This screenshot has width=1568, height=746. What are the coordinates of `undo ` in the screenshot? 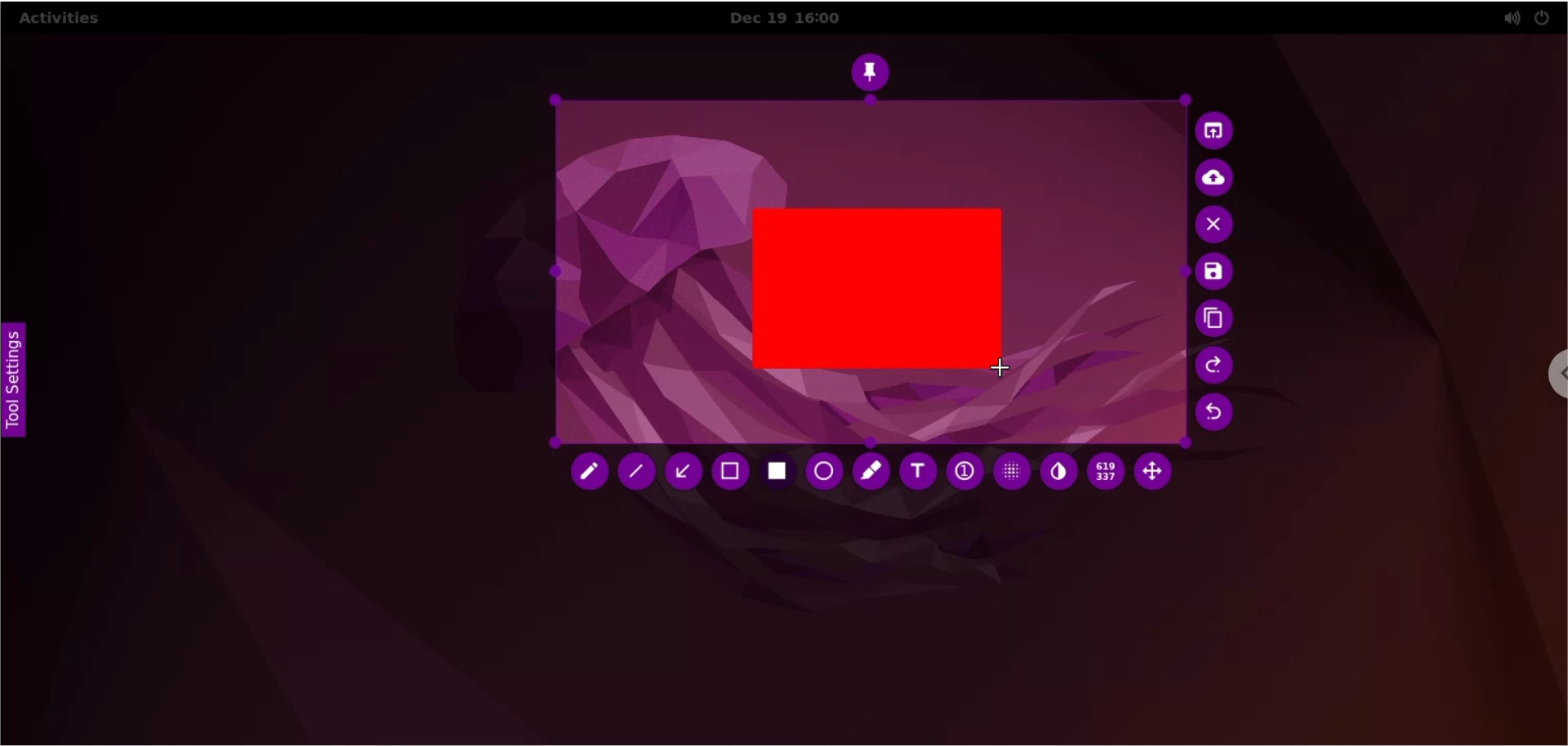 It's located at (1214, 416).